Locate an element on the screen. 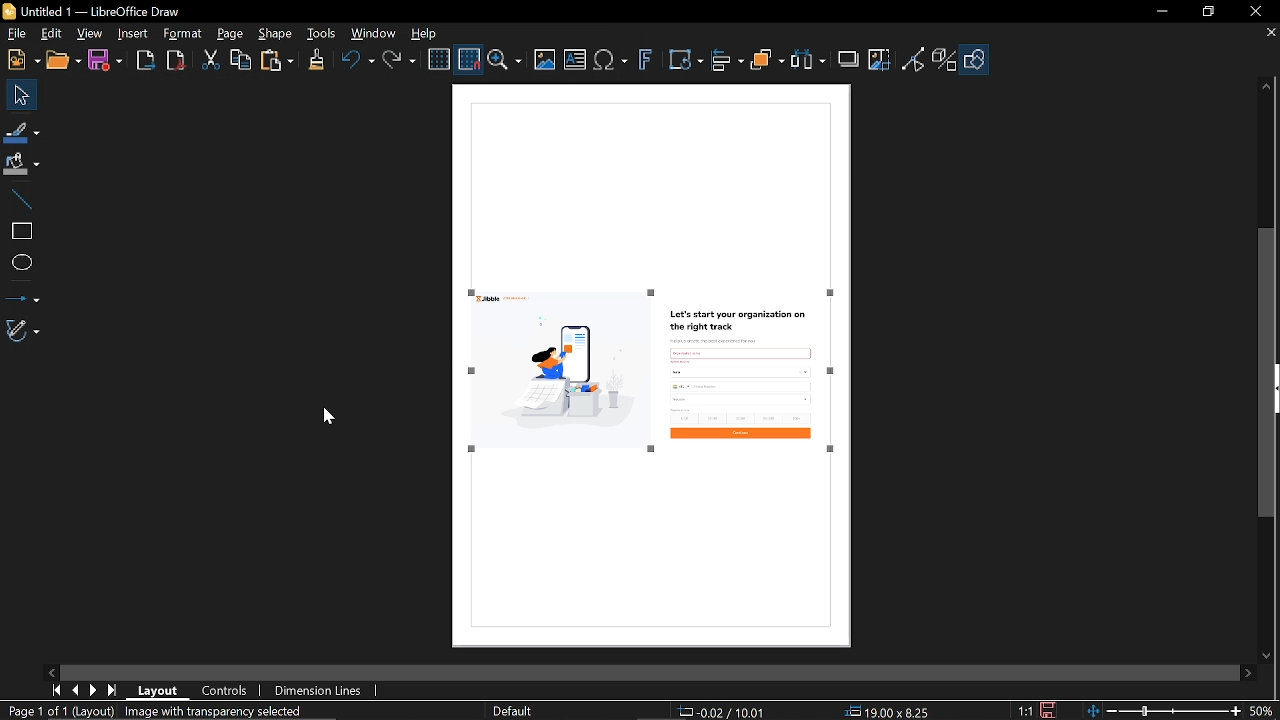  Toggle extrusion is located at coordinates (943, 60).